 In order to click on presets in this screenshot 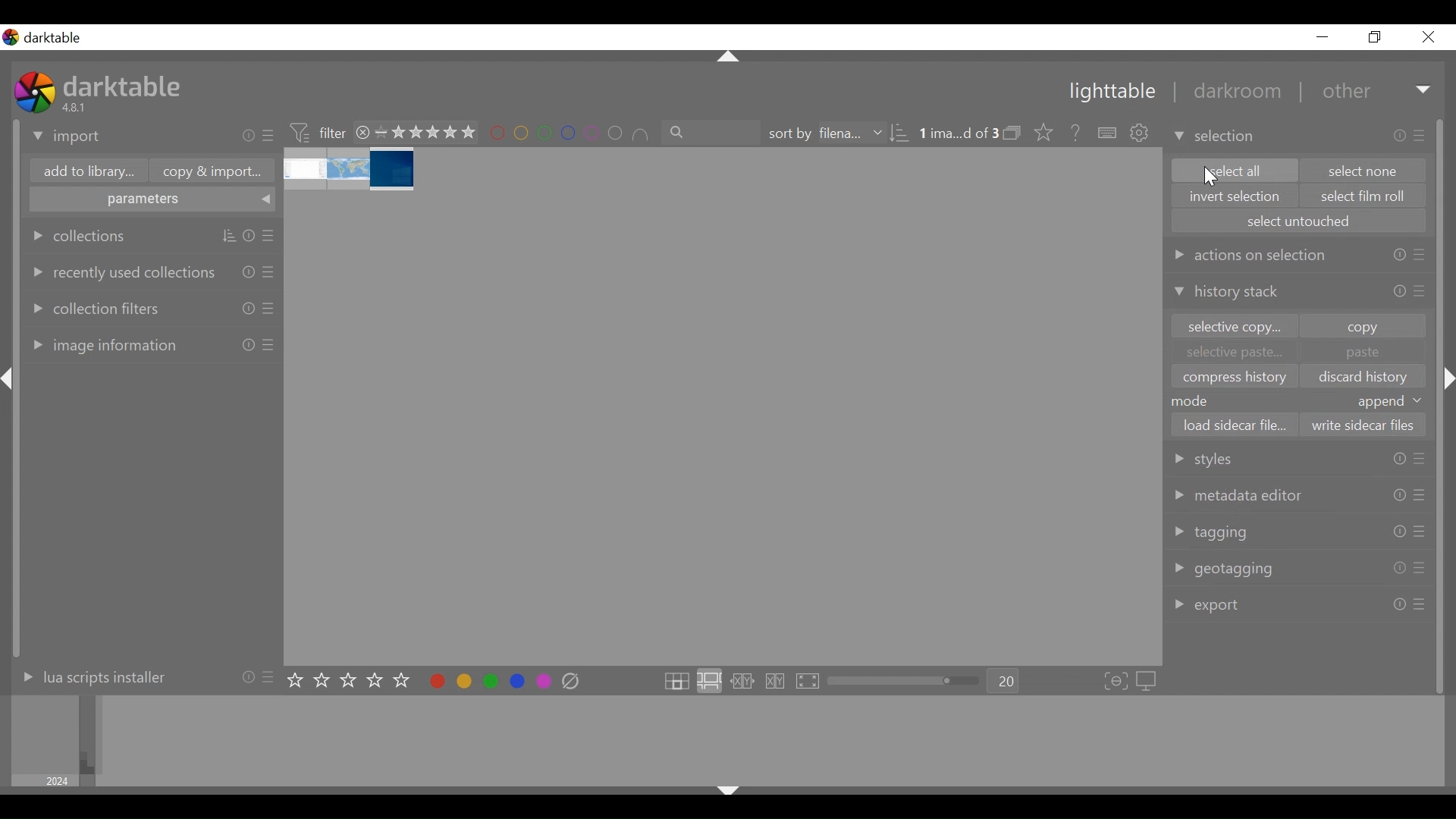, I will do `click(1420, 605)`.